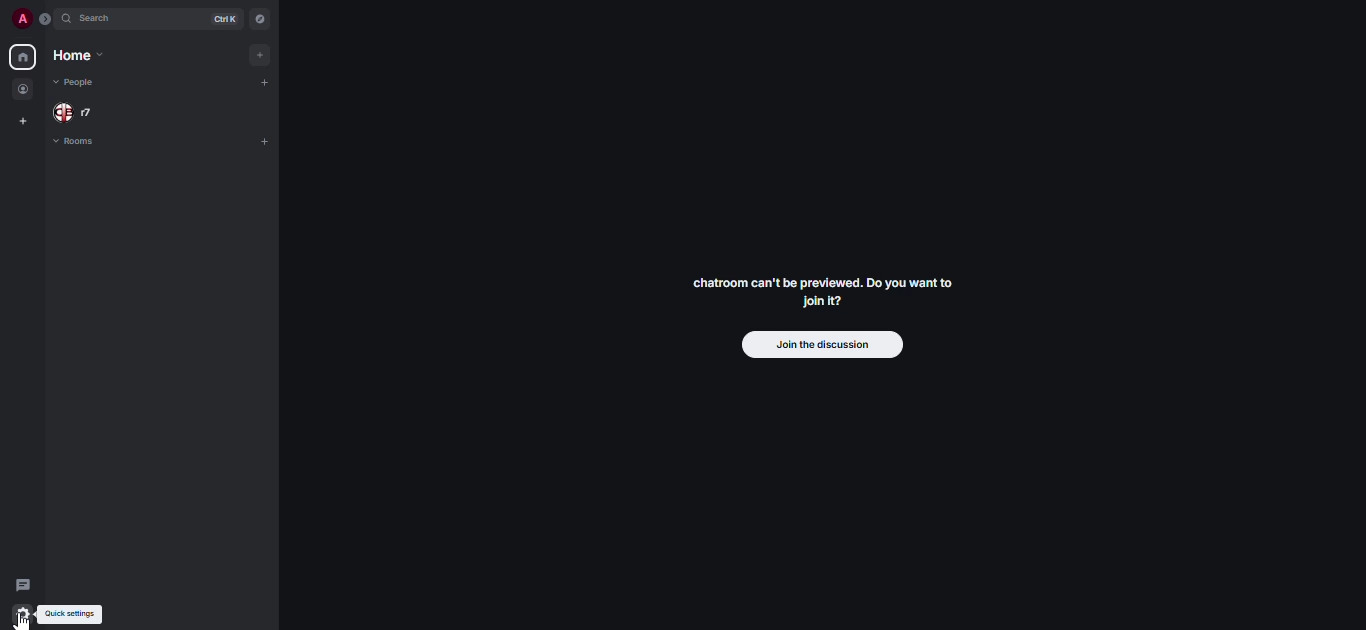  I want to click on rooms, so click(76, 143).